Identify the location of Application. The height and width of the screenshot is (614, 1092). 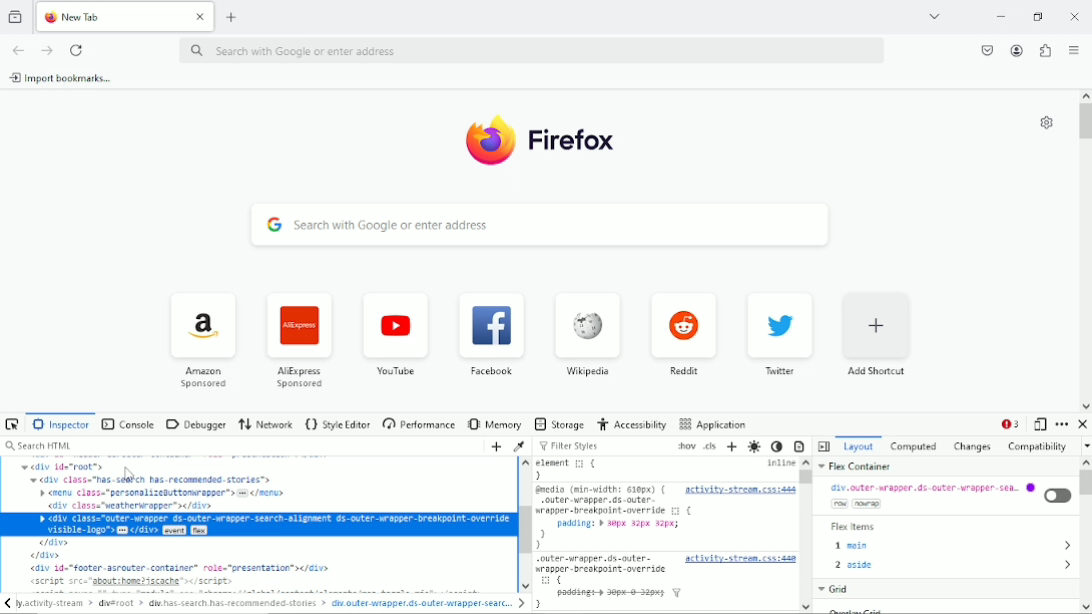
(714, 423).